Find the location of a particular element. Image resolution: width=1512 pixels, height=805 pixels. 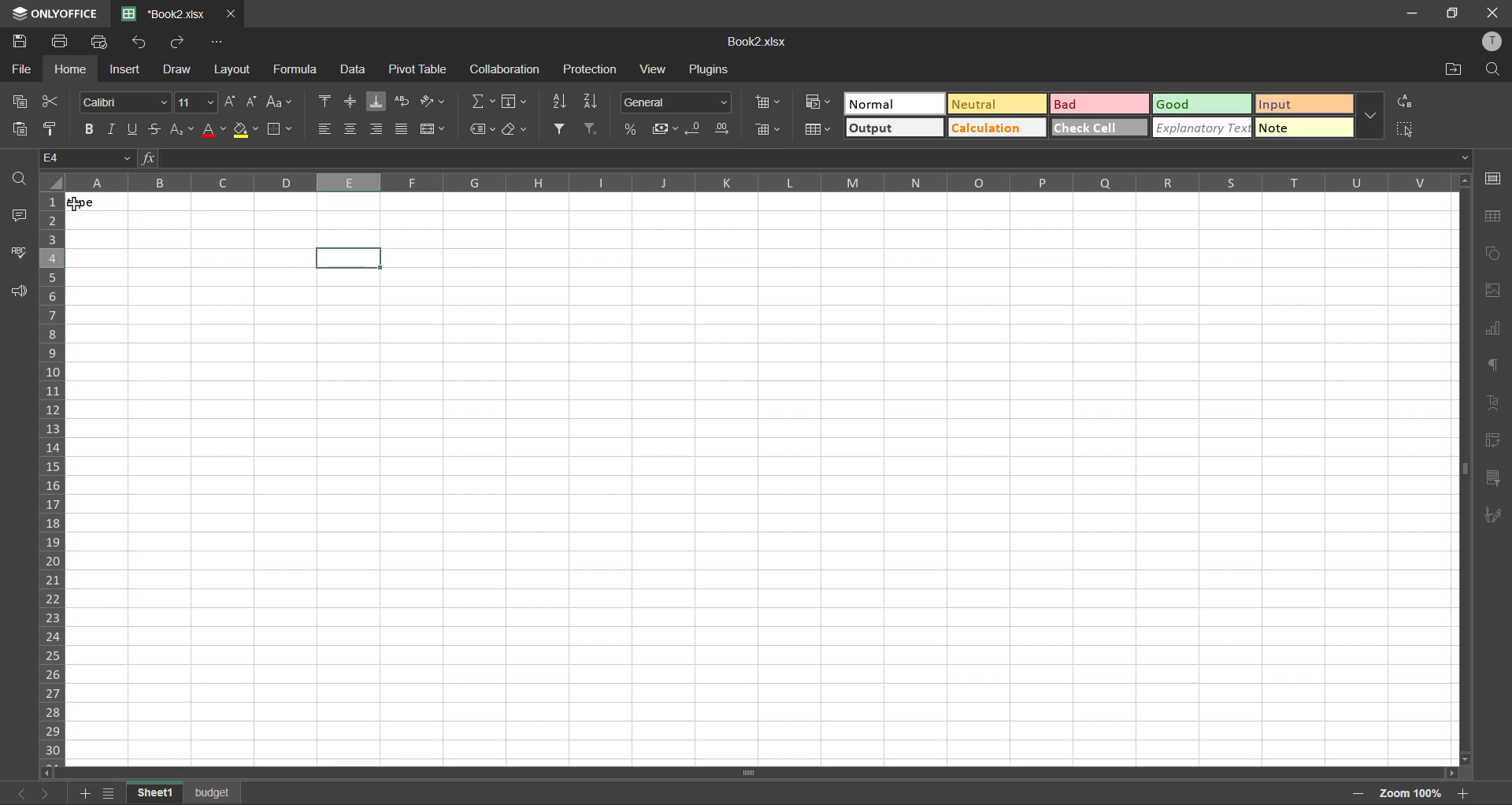

cell address is located at coordinates (89, 159).